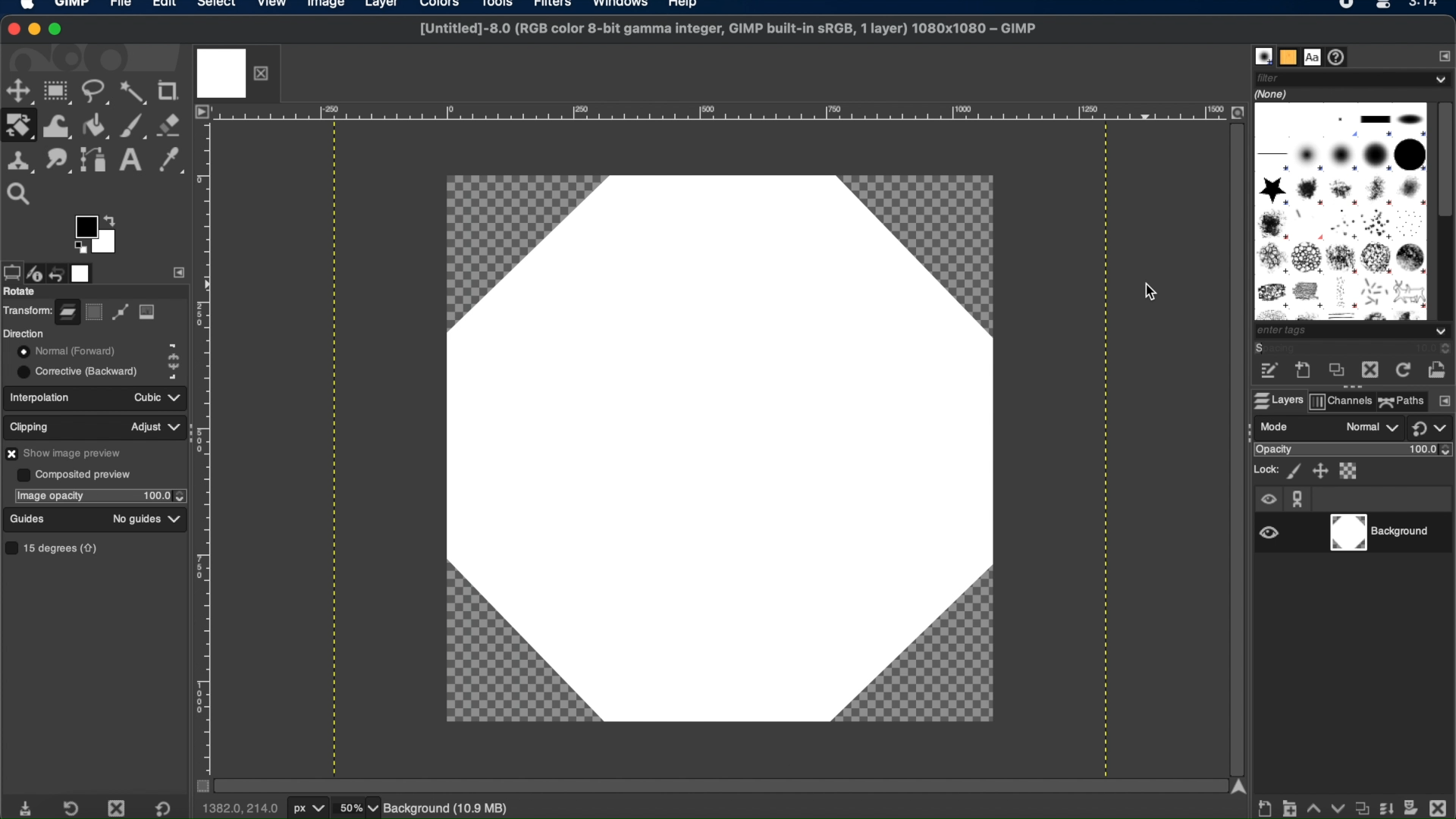 Image resolution: width=1456 pixels, height=819 pixels. I want to click on opacity, so click(1273, 450).